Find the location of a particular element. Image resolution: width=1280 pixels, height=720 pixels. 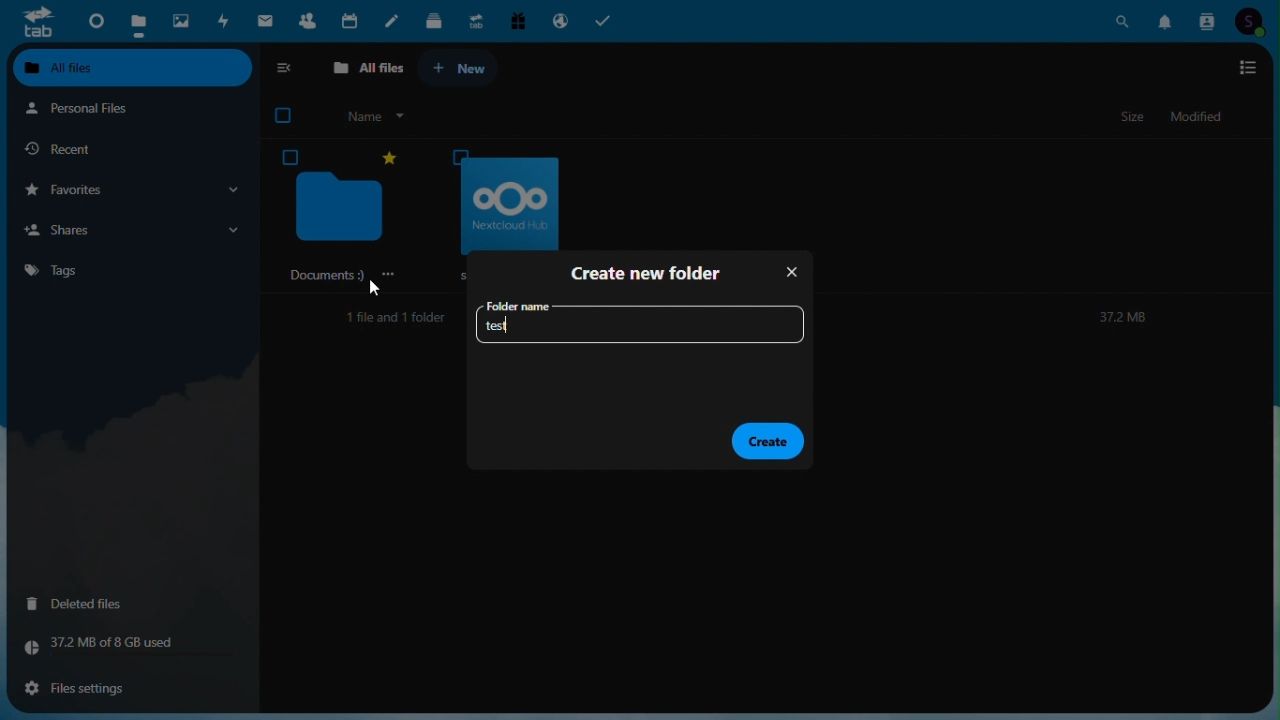

File settings is located at coordinates (128, 693).